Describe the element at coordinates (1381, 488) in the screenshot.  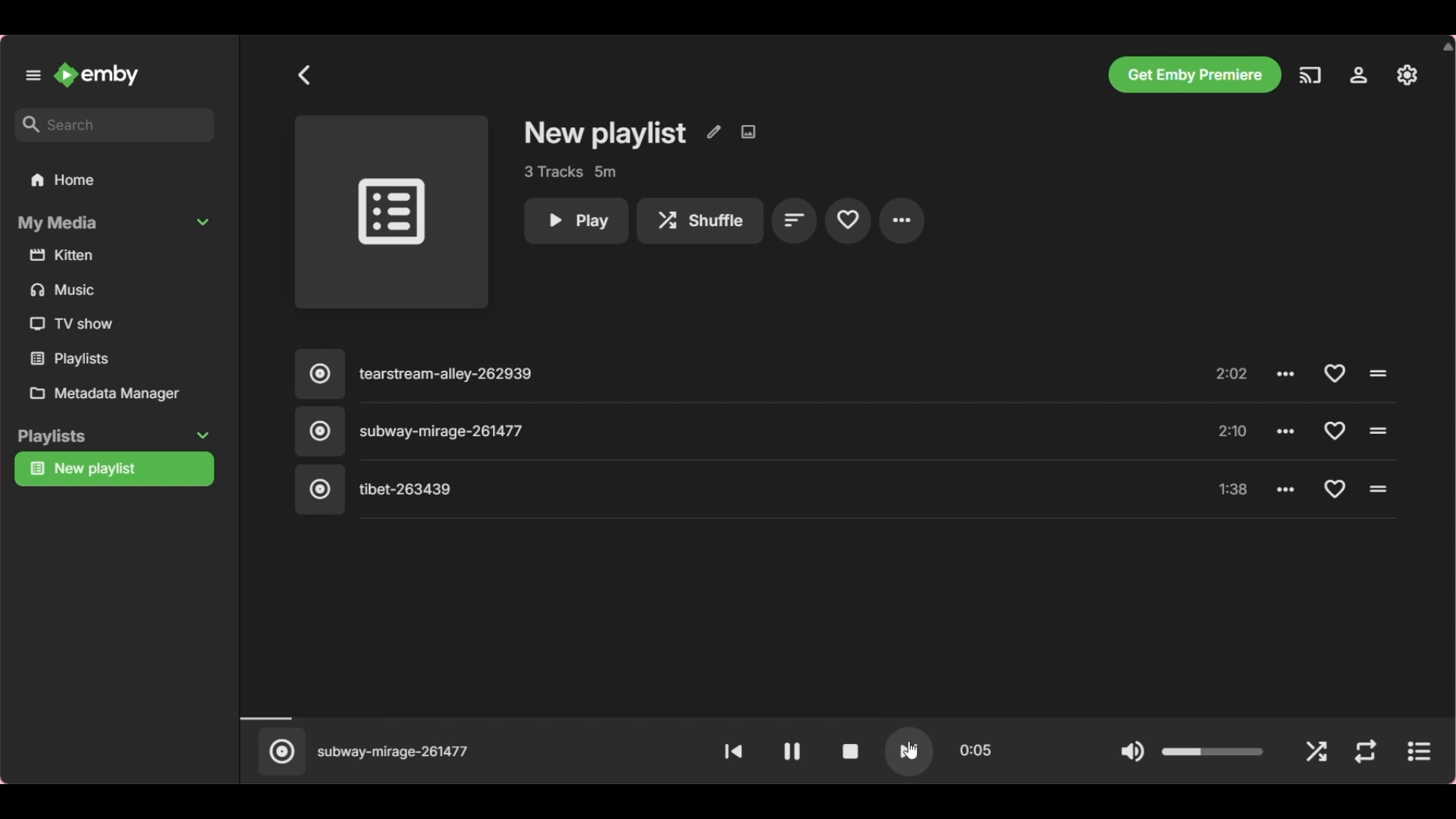
I see `click to play` at that location.